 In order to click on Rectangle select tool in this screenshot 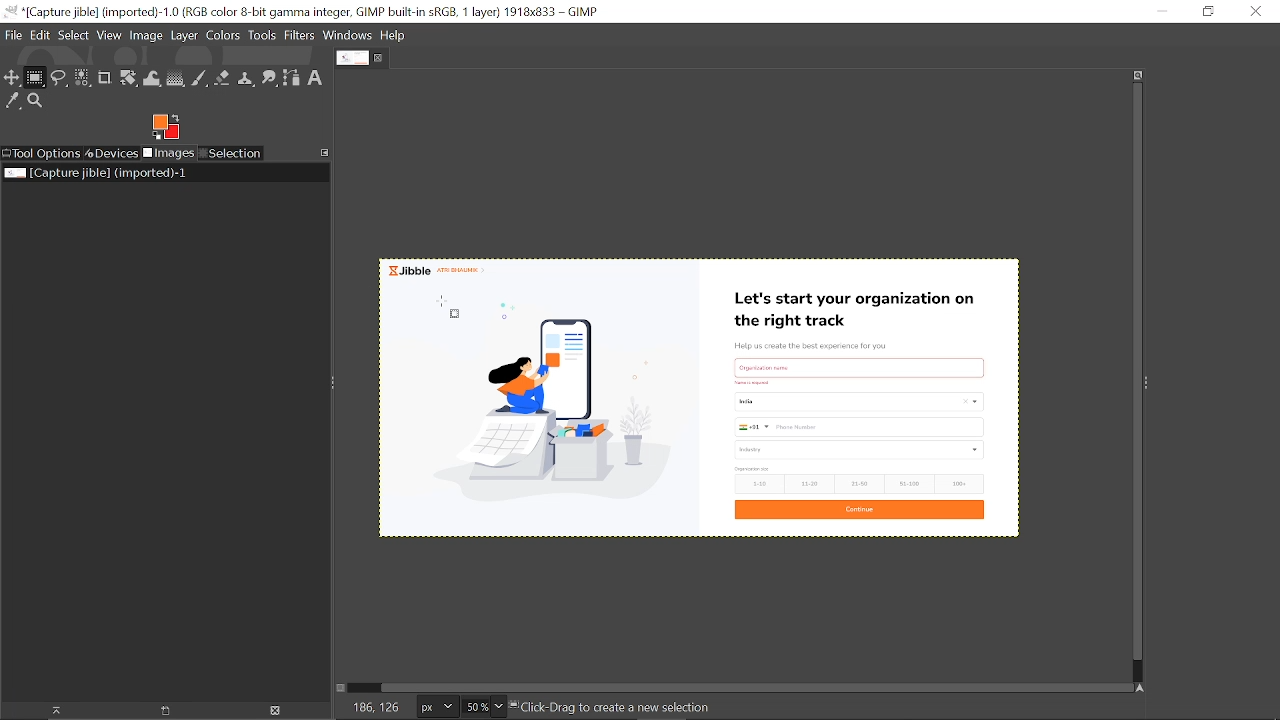, I will do `click(36, 79)`.